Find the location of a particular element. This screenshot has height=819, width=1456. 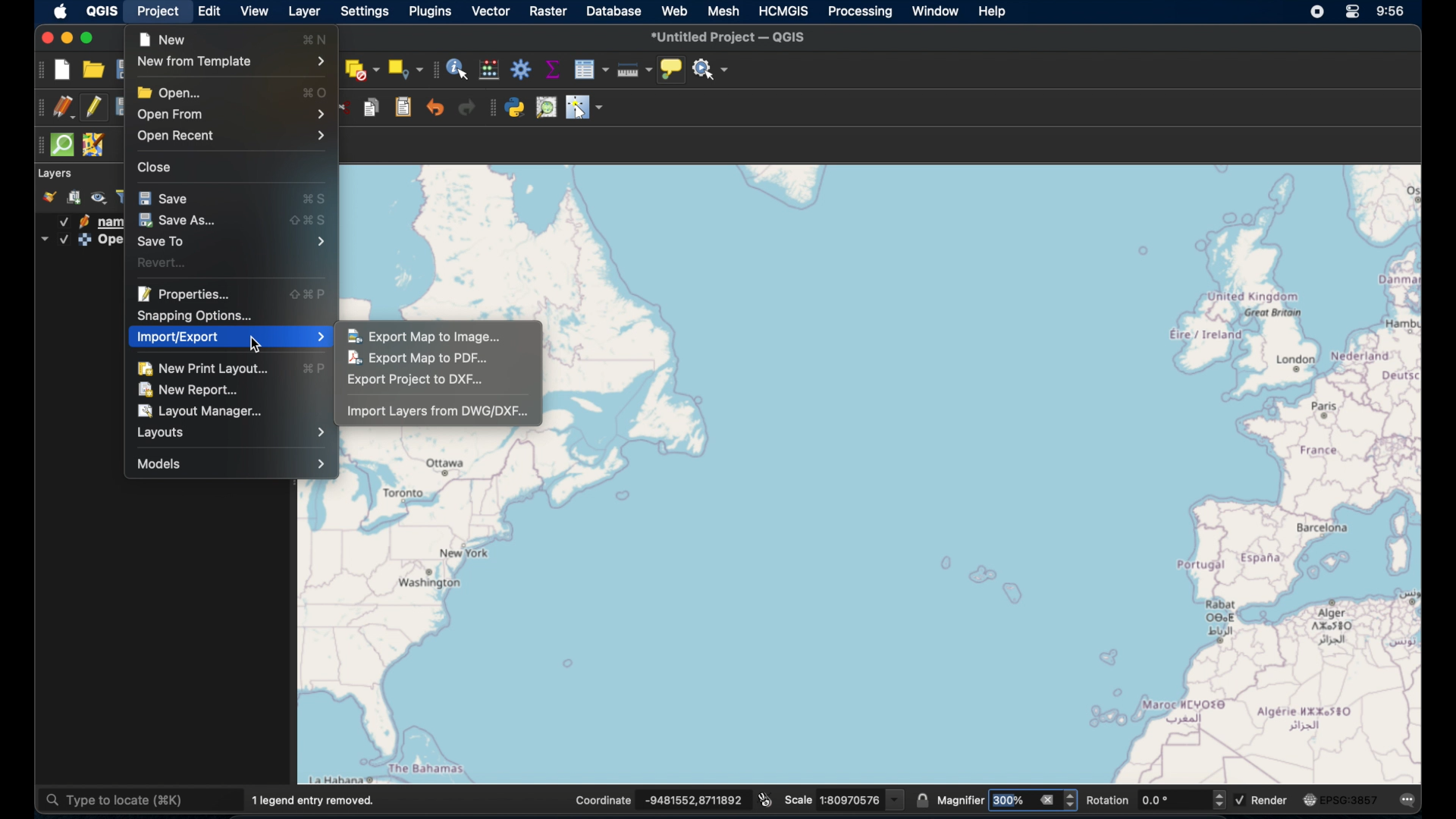

properties shortcut is located at coordinates (309, 295).